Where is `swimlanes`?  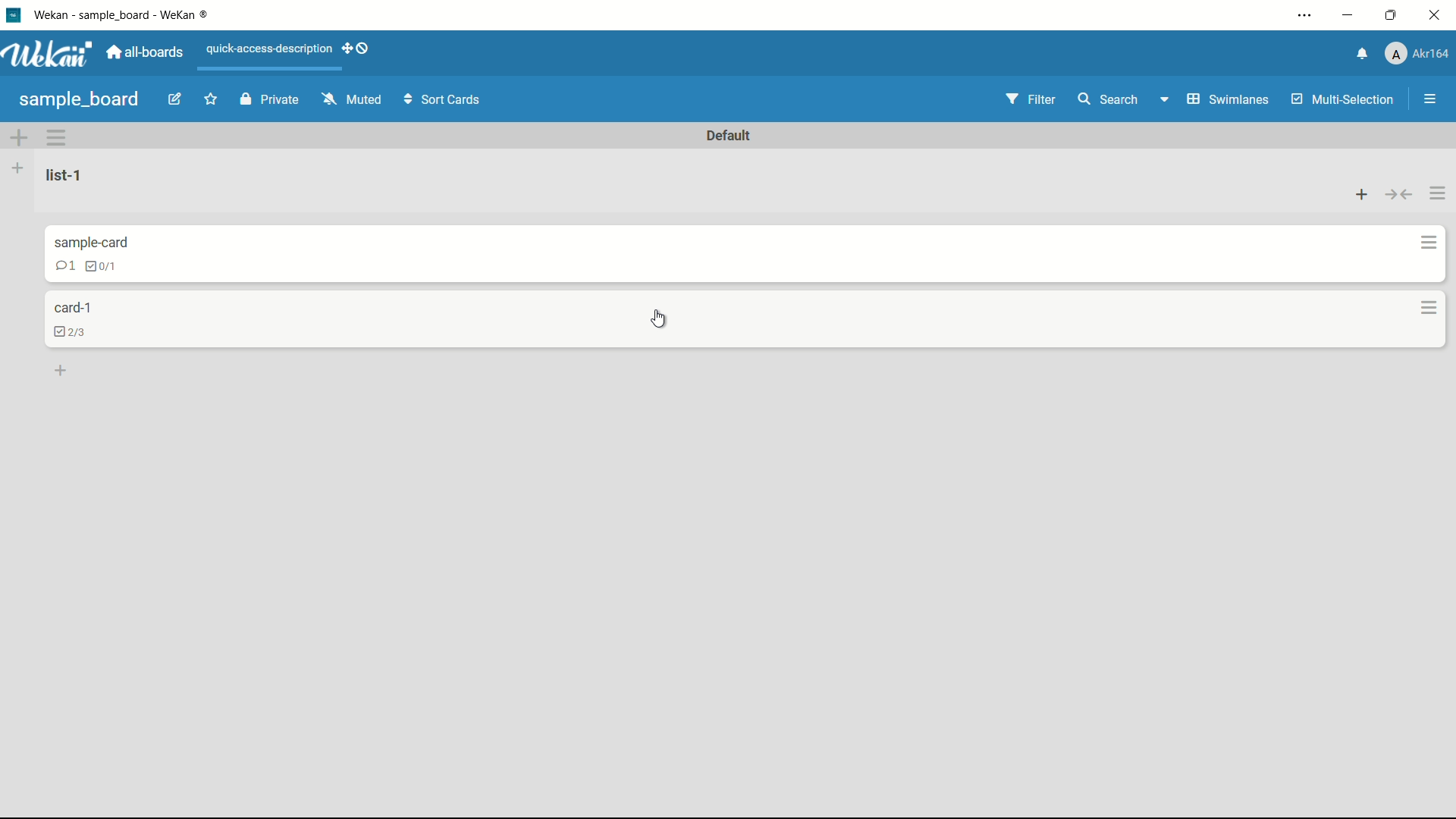
swimlanes is located at coordinates (1216, 100).